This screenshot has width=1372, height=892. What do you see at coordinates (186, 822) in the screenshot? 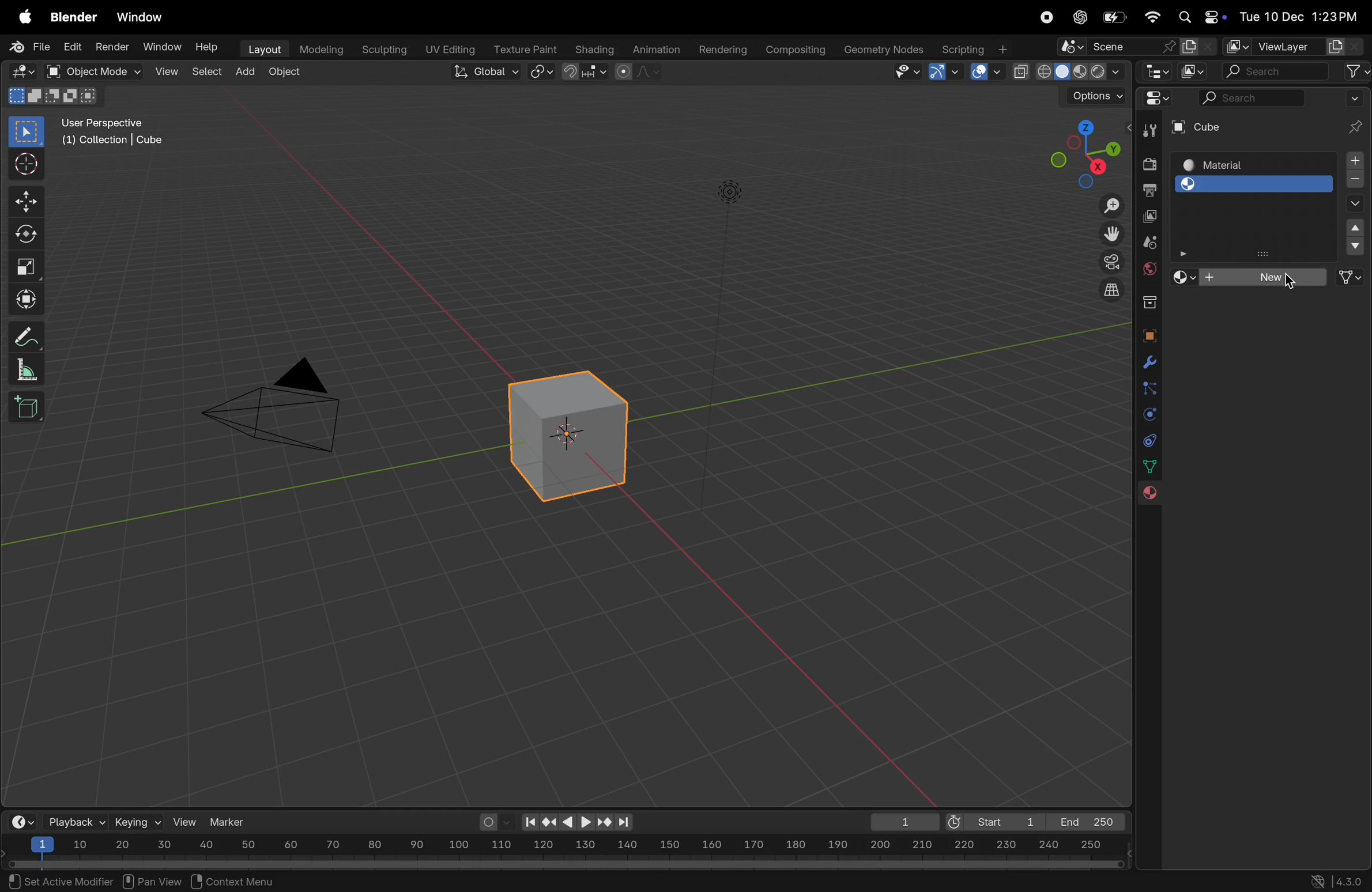
I see `view` at bounding box center [186, 822].